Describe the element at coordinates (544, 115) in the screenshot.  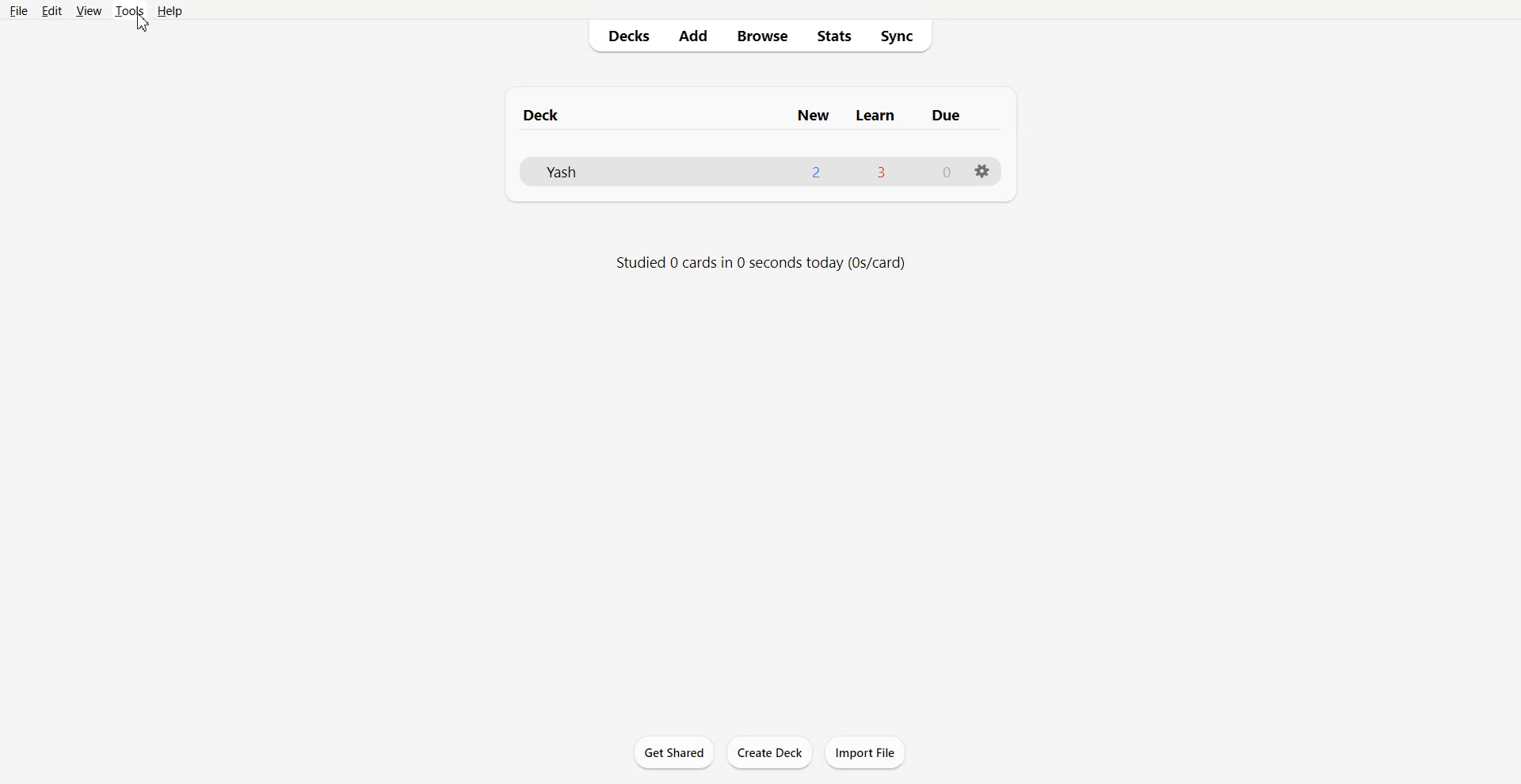
I see `Deck` at that location.